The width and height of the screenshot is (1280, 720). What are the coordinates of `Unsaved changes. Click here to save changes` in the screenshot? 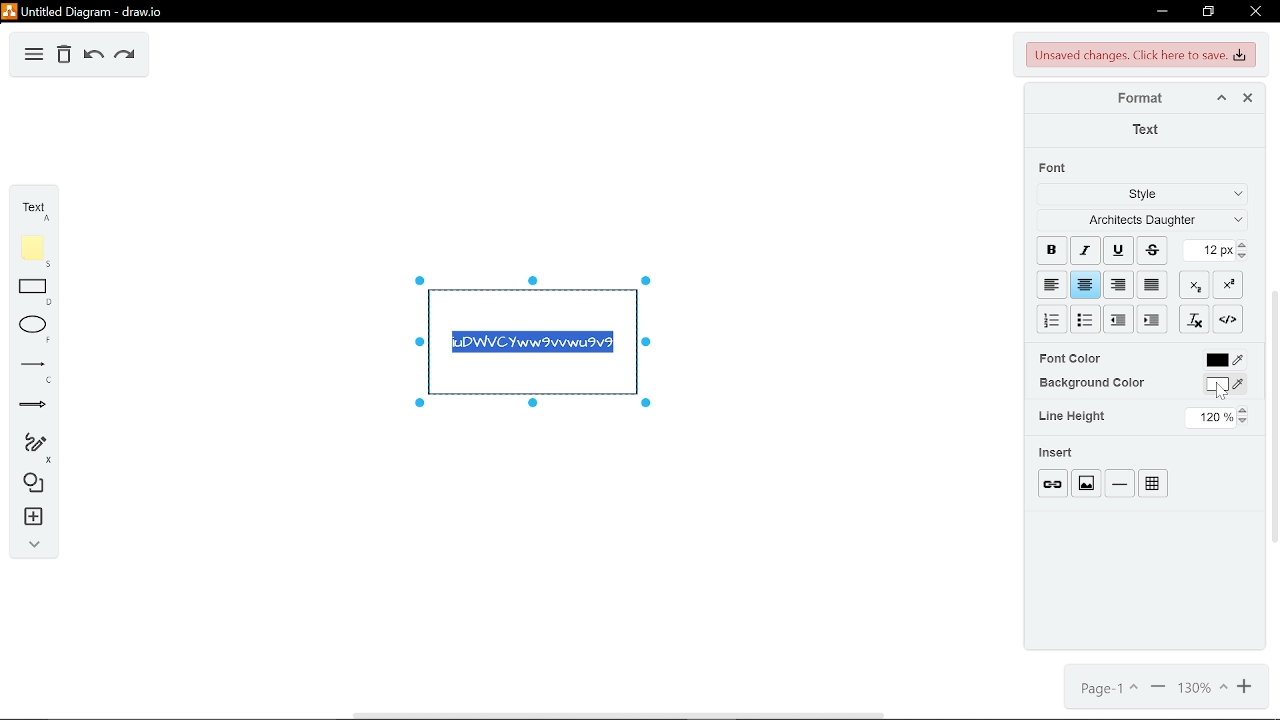 It's located at (1138, 55).